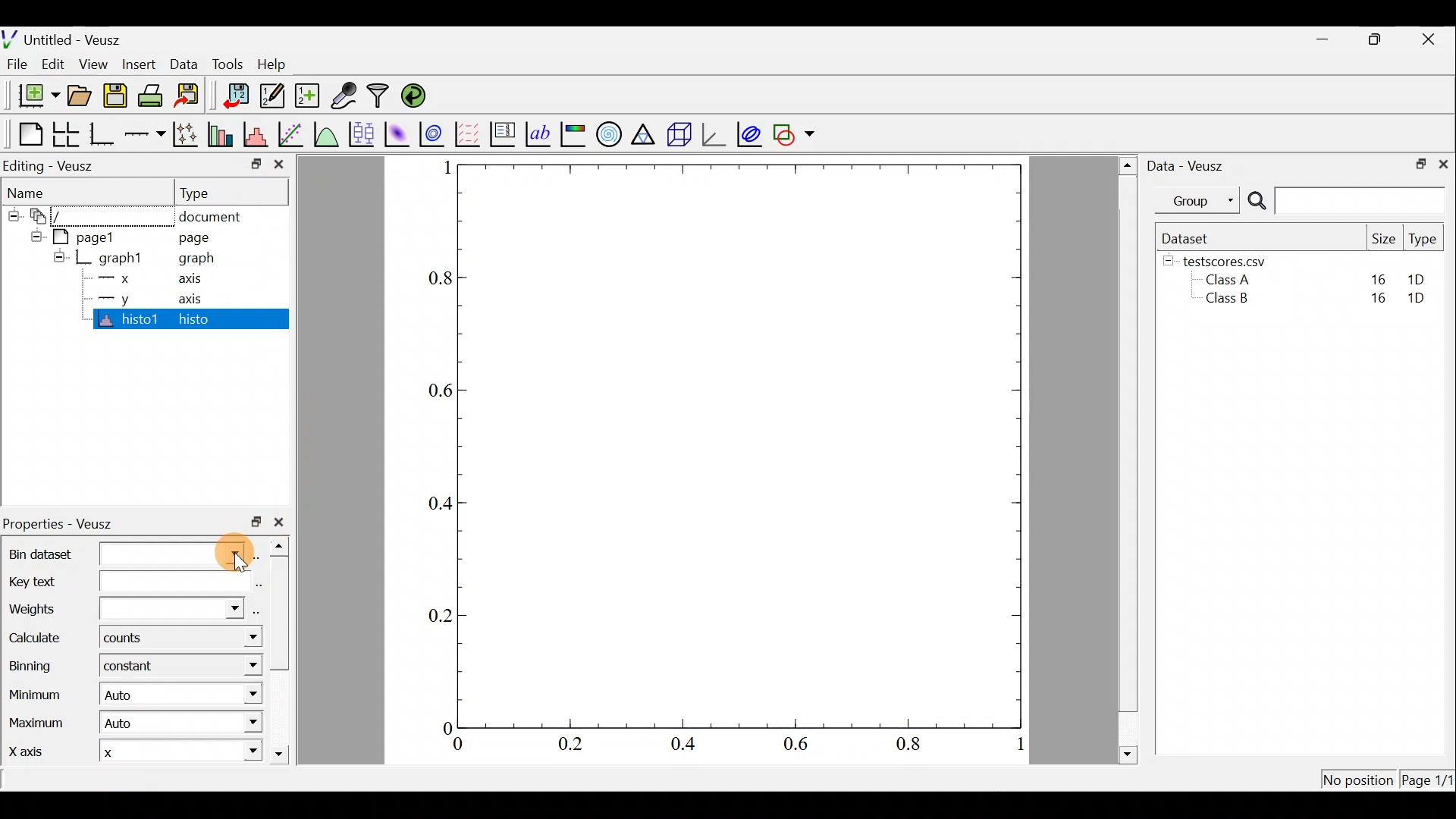 The width and height of the screenshot is (1456, 819). I want to click on 3d scene, so click(679, 134).